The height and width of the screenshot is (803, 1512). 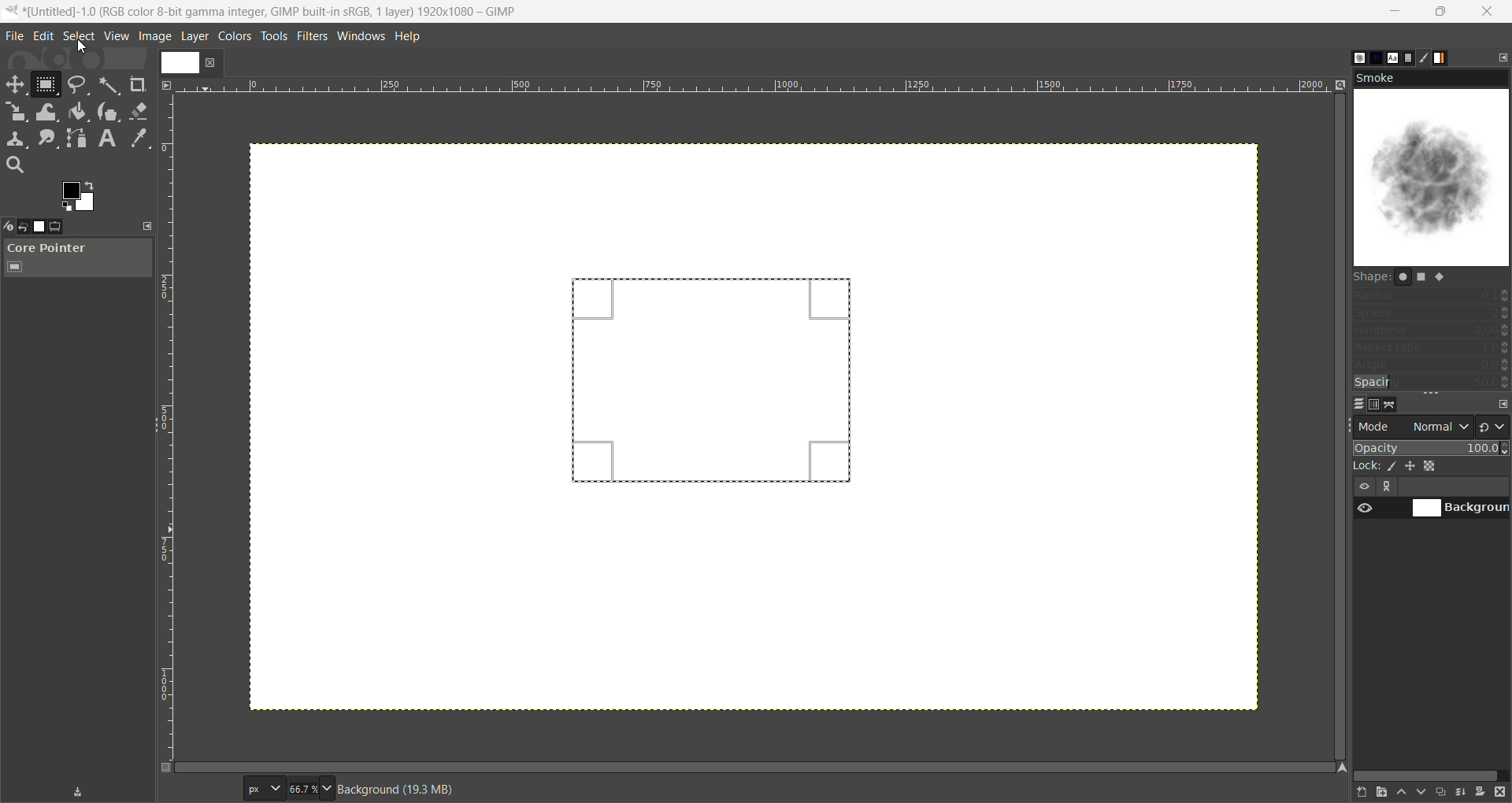 I want to click on pixel, so click(x=265, y=789).